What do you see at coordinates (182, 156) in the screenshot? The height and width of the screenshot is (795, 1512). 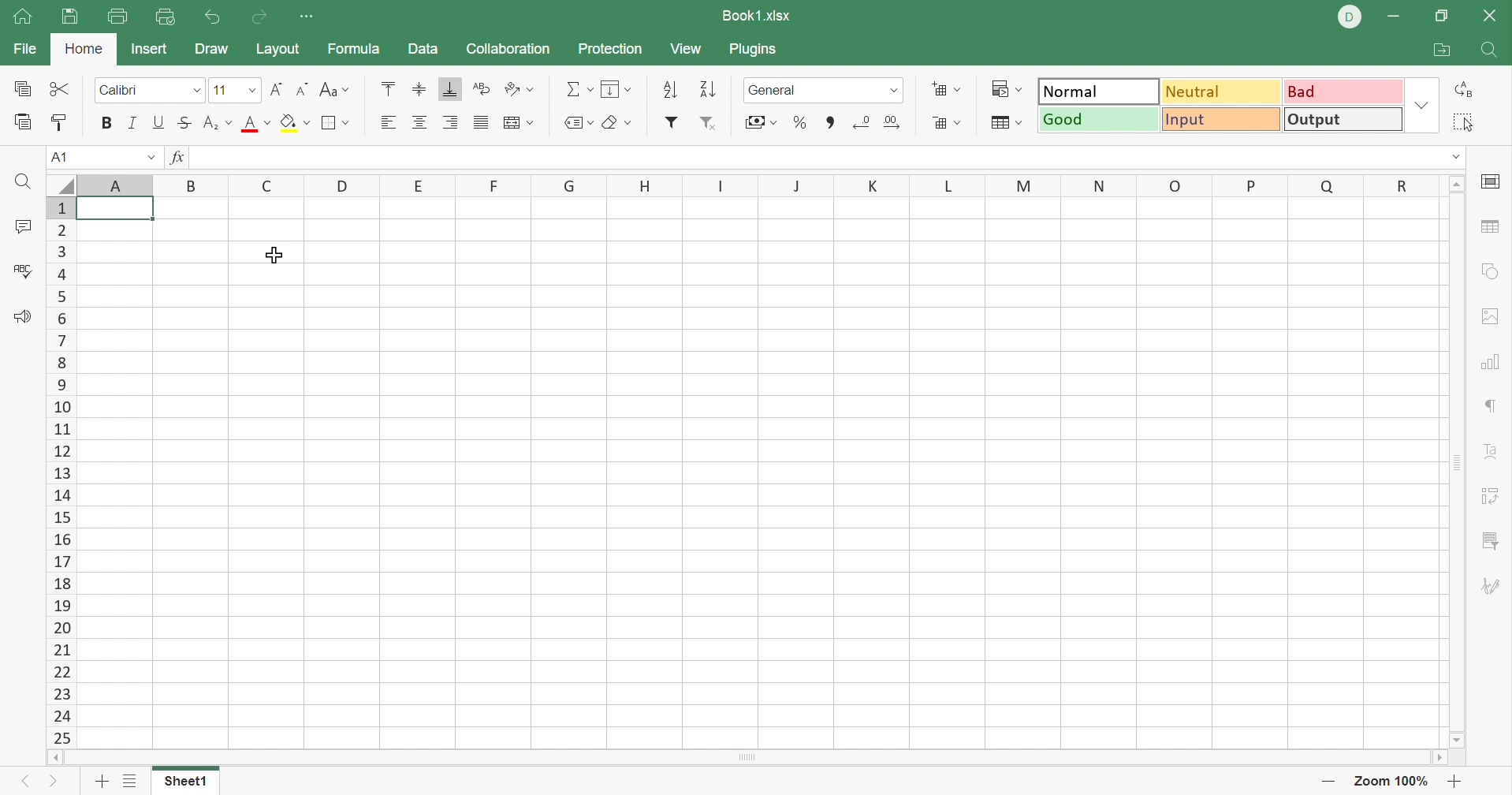 I see `fx` at bounding box center [182, 156].